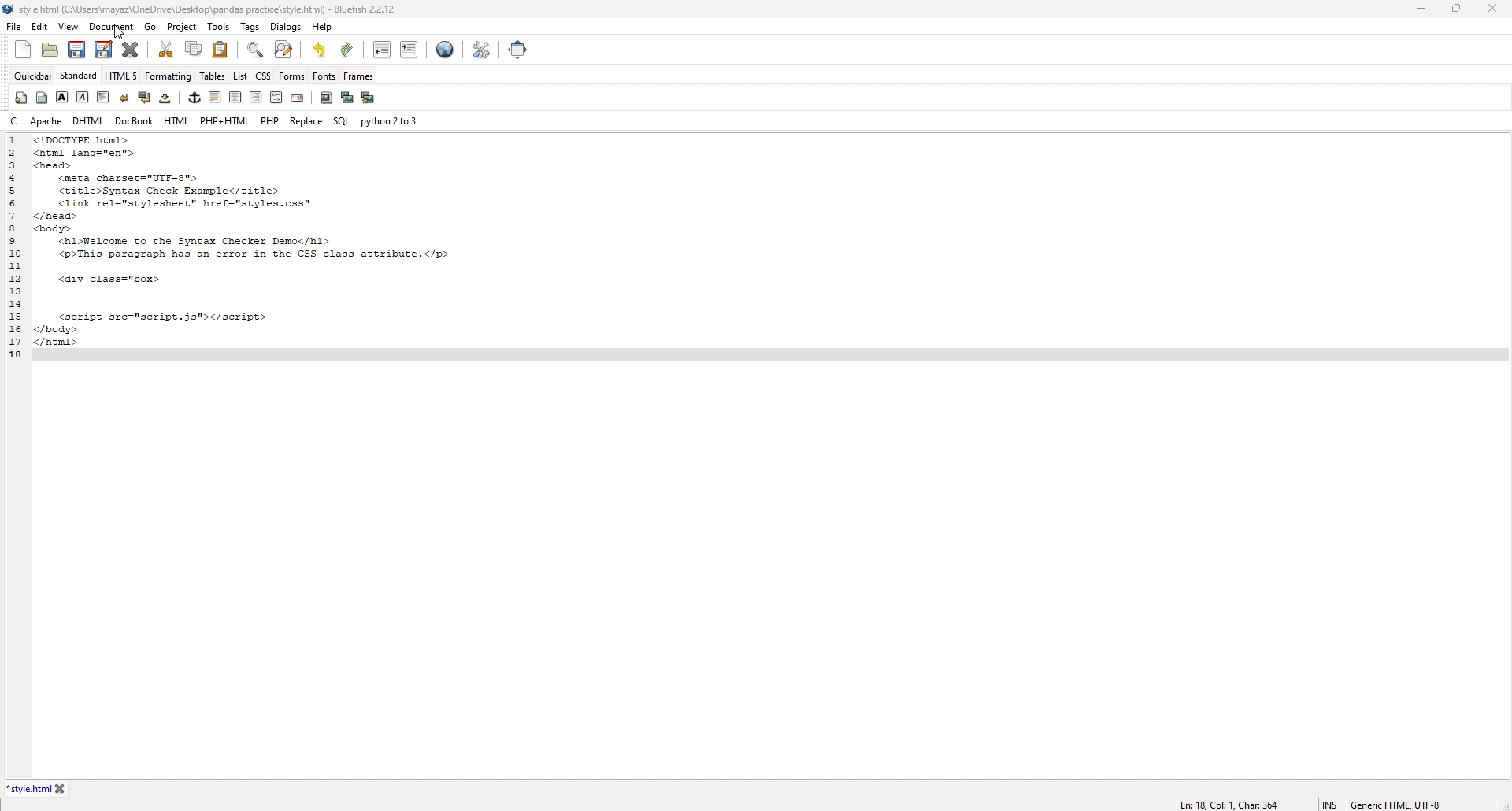 The height and width of the screenshot is (811, 1512). What do you see at coordinates (369, 98) in the screenshot?
I see `multi thumbnail` at bounding box center [369, 98].